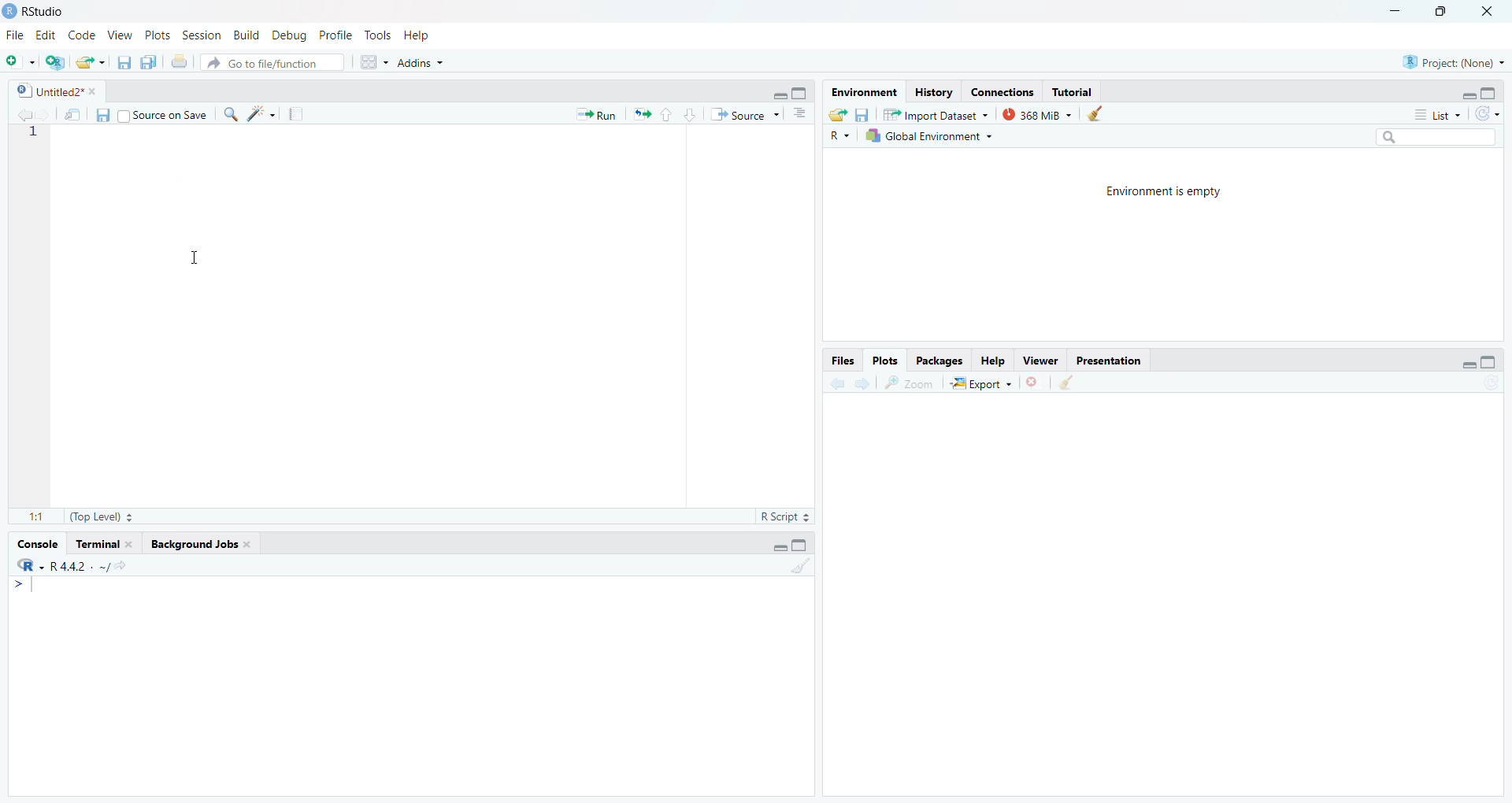  Describe the element at coordinates (1099, 115) in the screenshot. I see `clear` at that location.